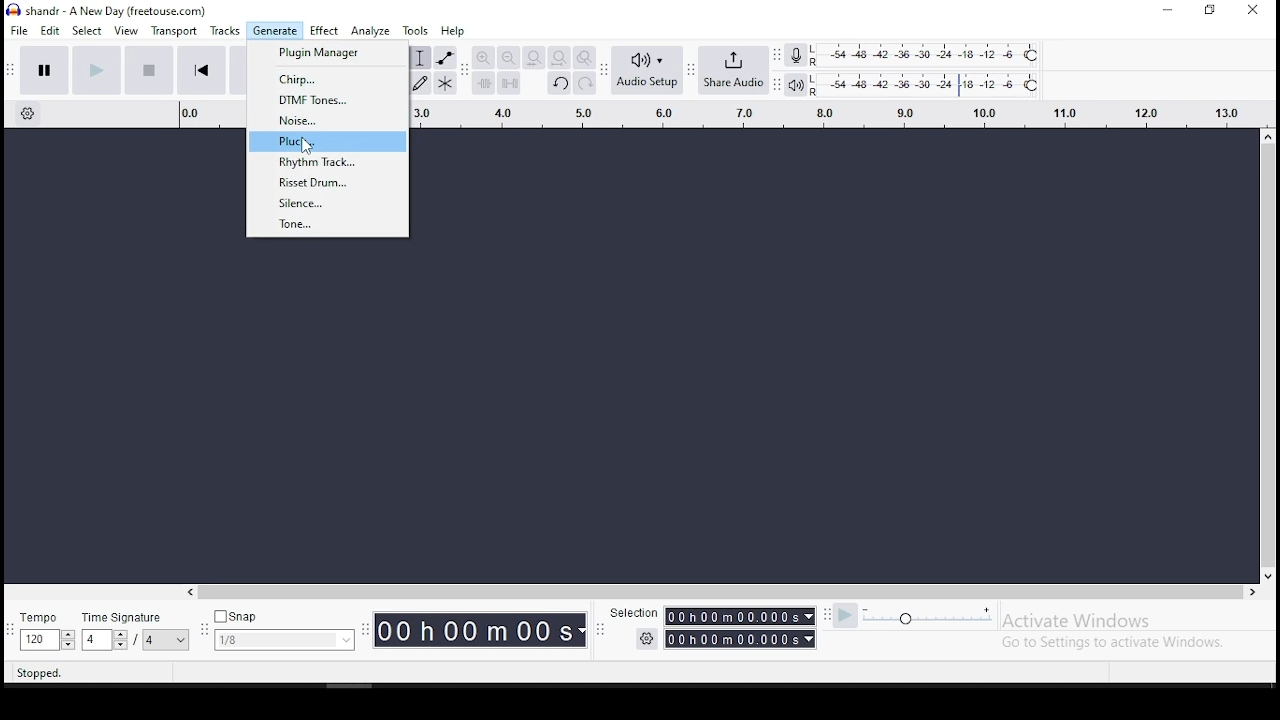 The height and width of the screenshot is (720, 1280). I want to click on skip to start, so click(201, 71).